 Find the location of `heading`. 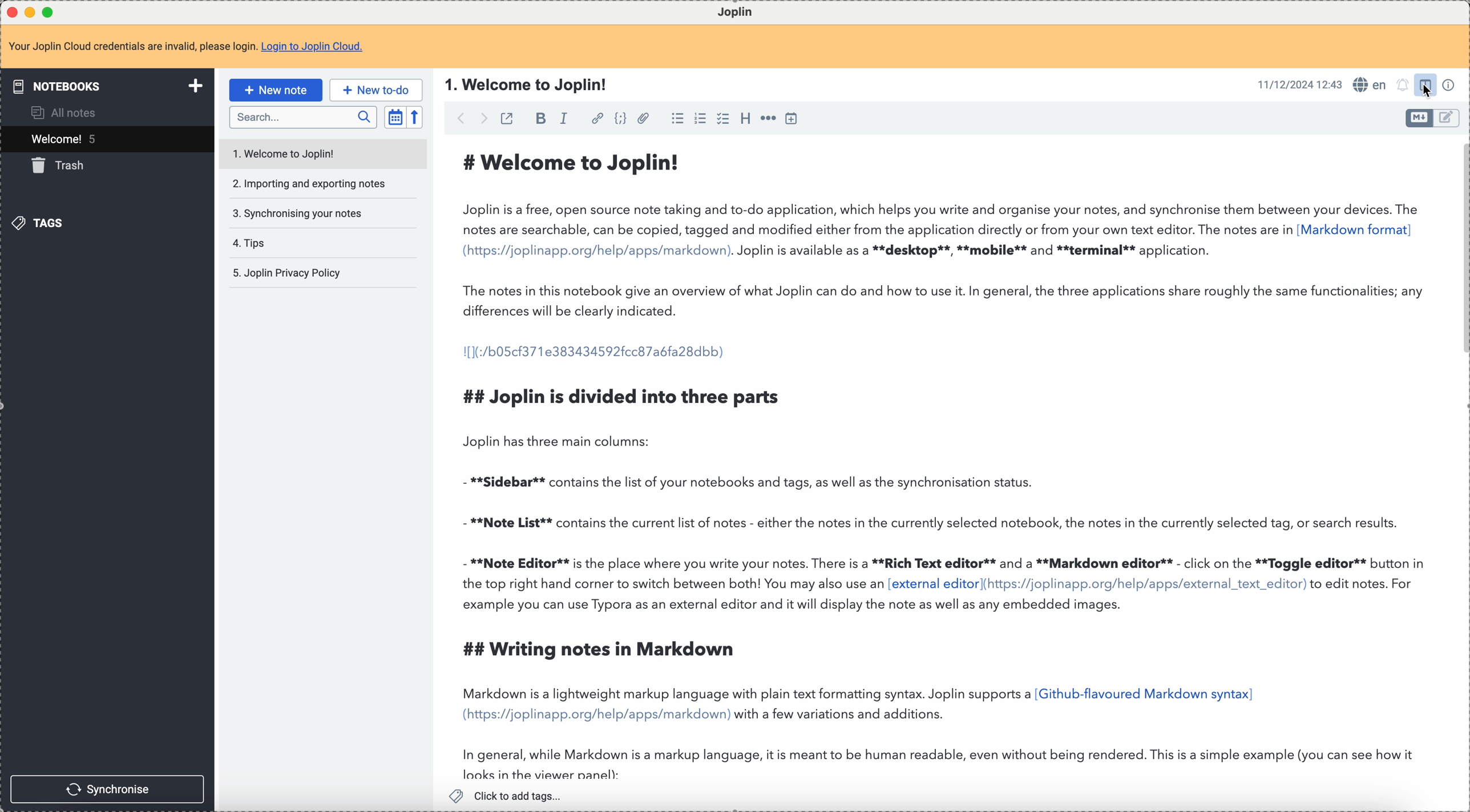

heading is located at coordinates (747, 120).